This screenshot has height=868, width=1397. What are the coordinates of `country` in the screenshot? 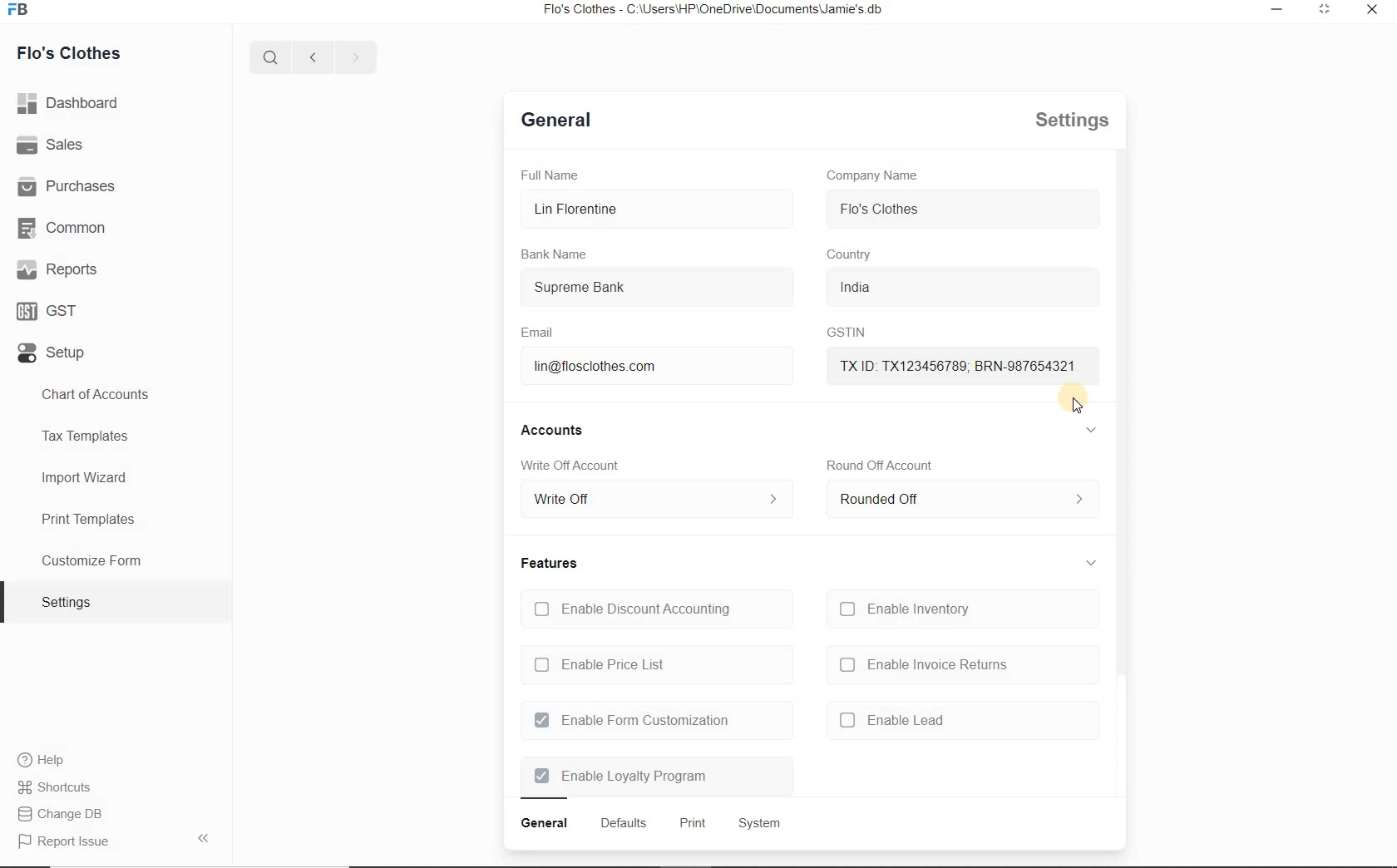 It's located at (852, 255).